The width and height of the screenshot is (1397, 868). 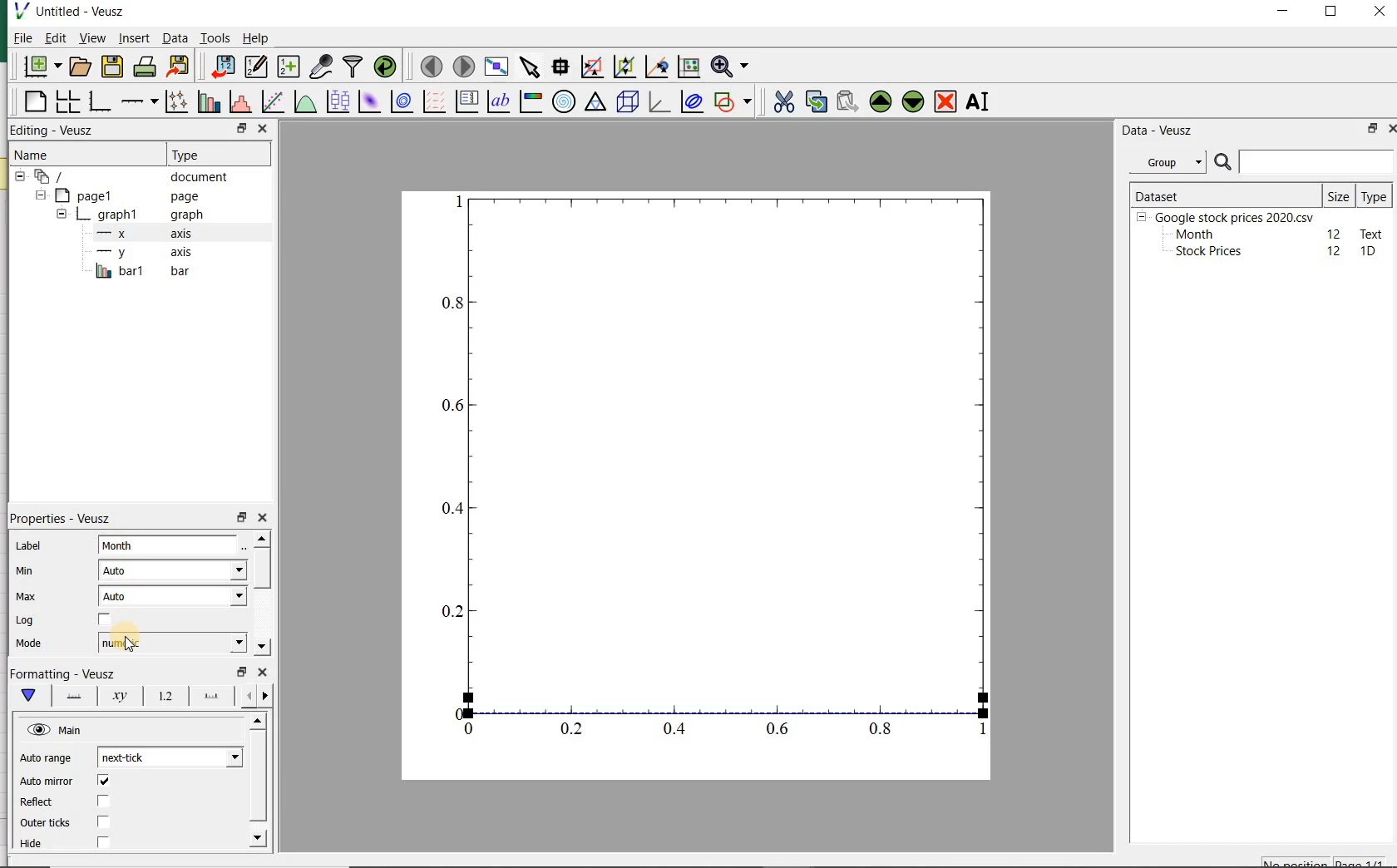 I want to click on remove the selected widget, so click(x=946, y=101).